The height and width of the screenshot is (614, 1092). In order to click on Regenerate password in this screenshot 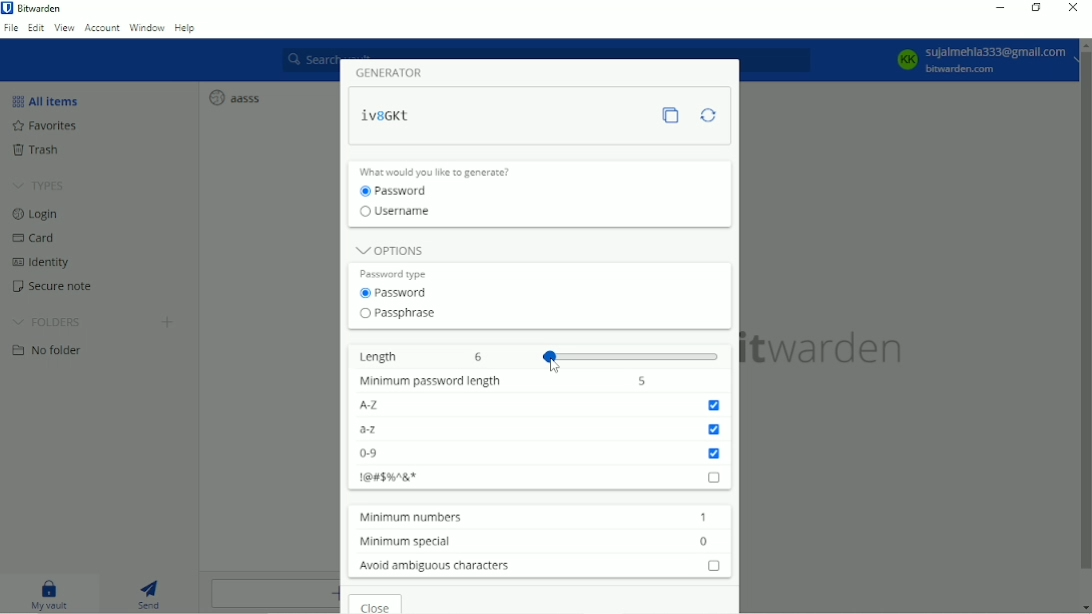, I will do `click(708, 115)`.